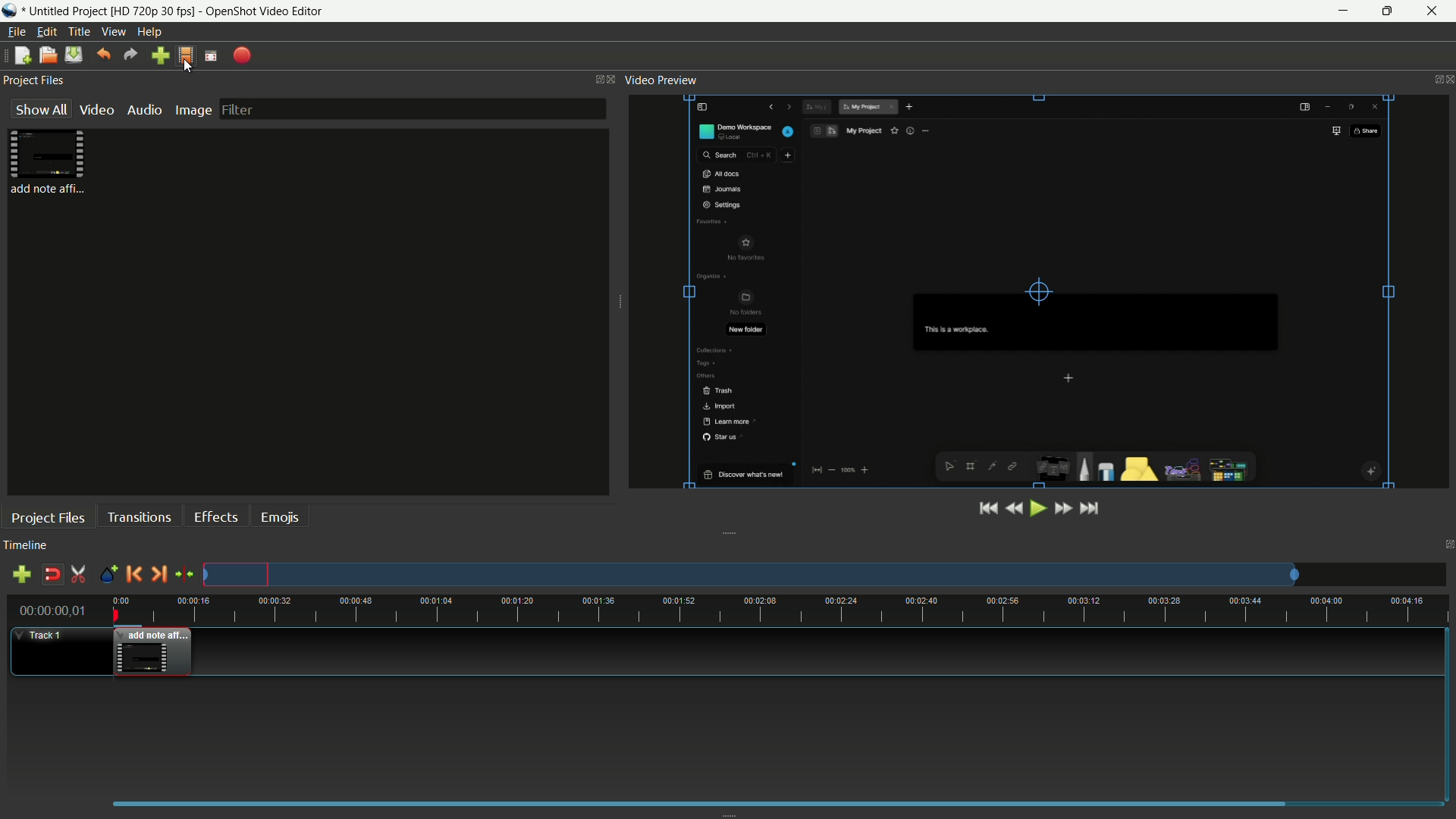  Describe the element at coordinates (47, 519) in the screenshot. I see `project files` at that location.